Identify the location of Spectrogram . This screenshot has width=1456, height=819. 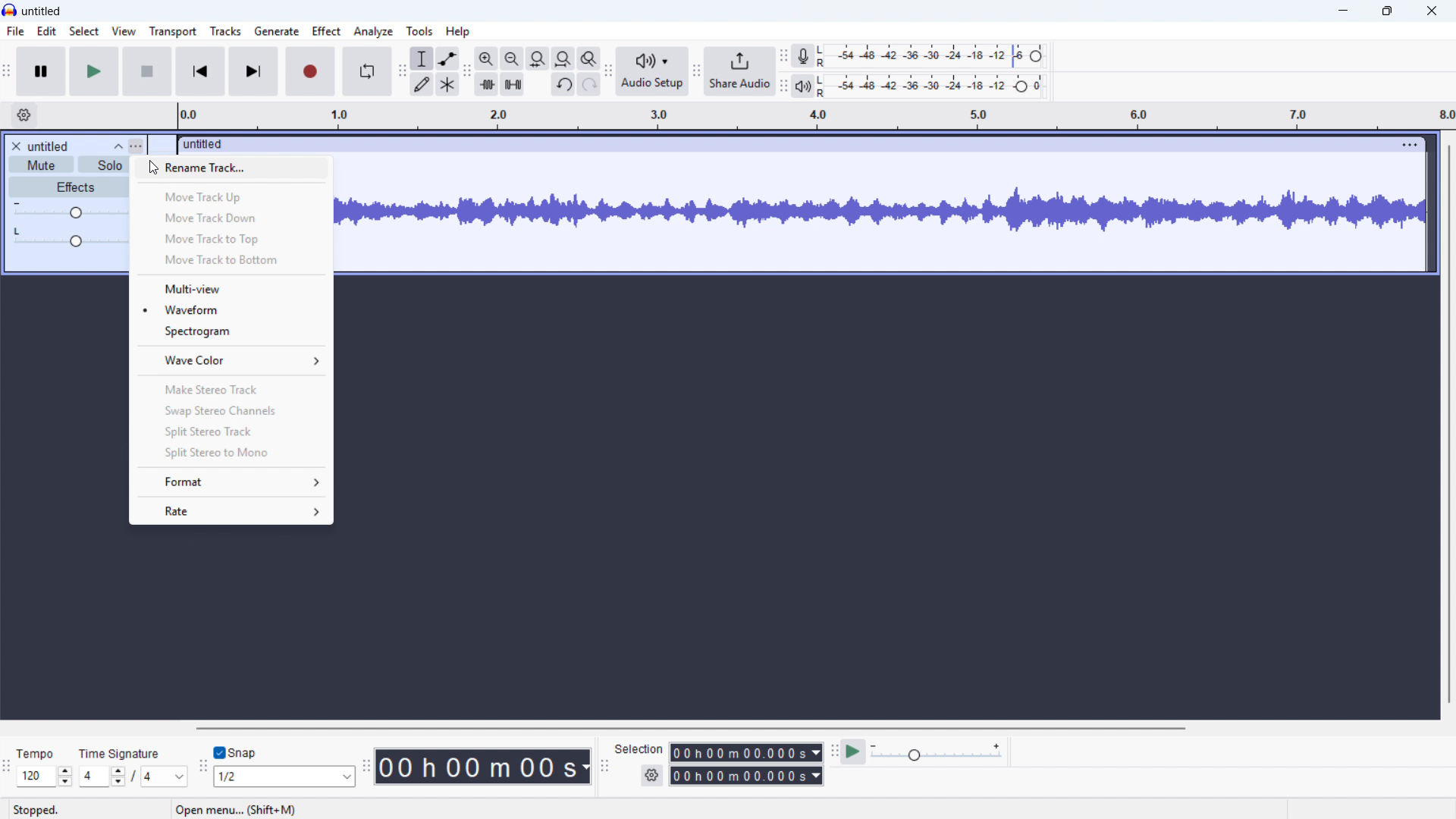
(231, 332).